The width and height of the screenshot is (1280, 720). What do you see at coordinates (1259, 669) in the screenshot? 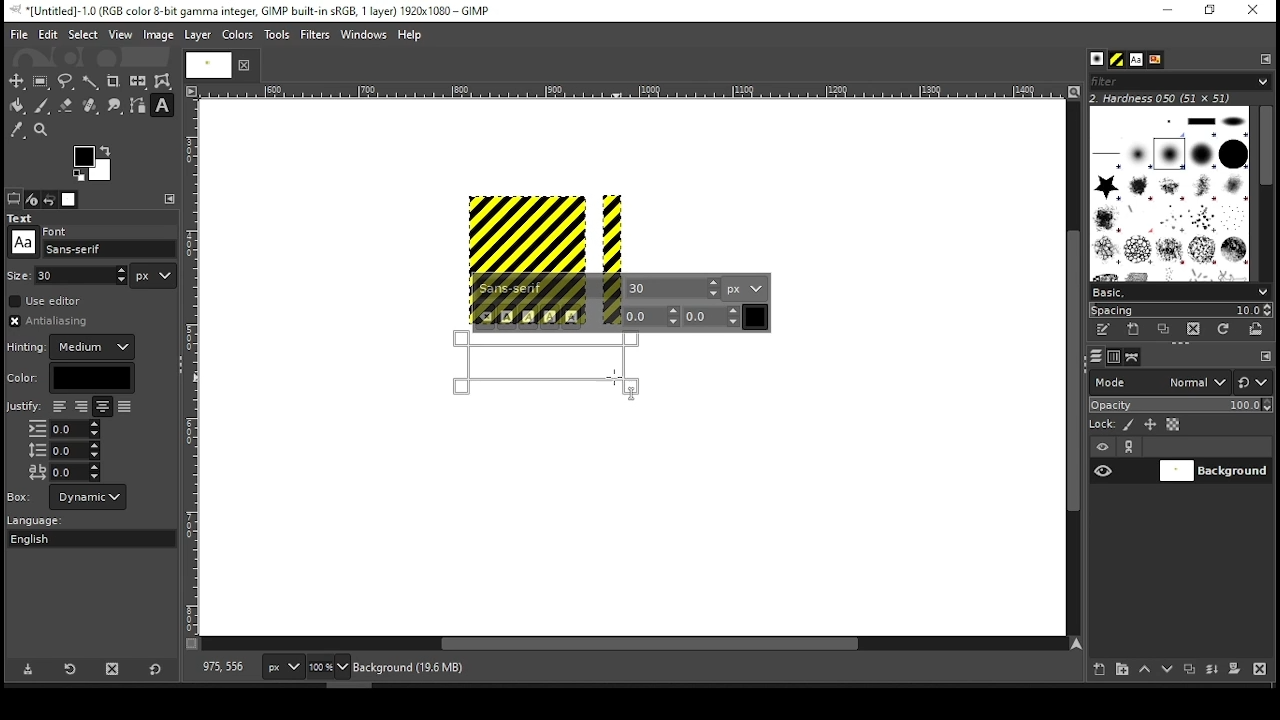
I see `delete layer` at bounding box center [1259, 669].